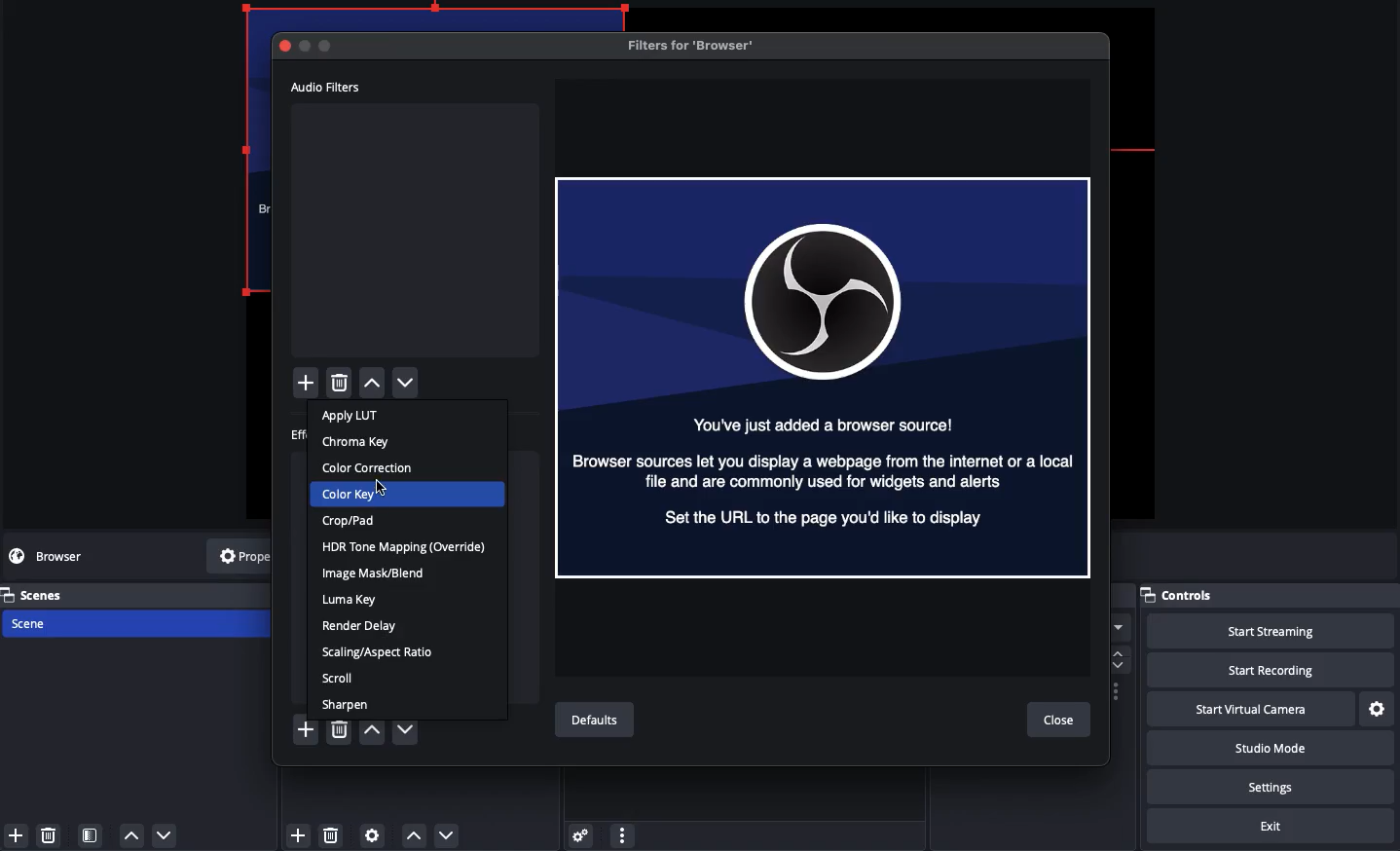  Describe the element at coordinates (358, 442) in the screenshot. I see `Chroma key` at that location.